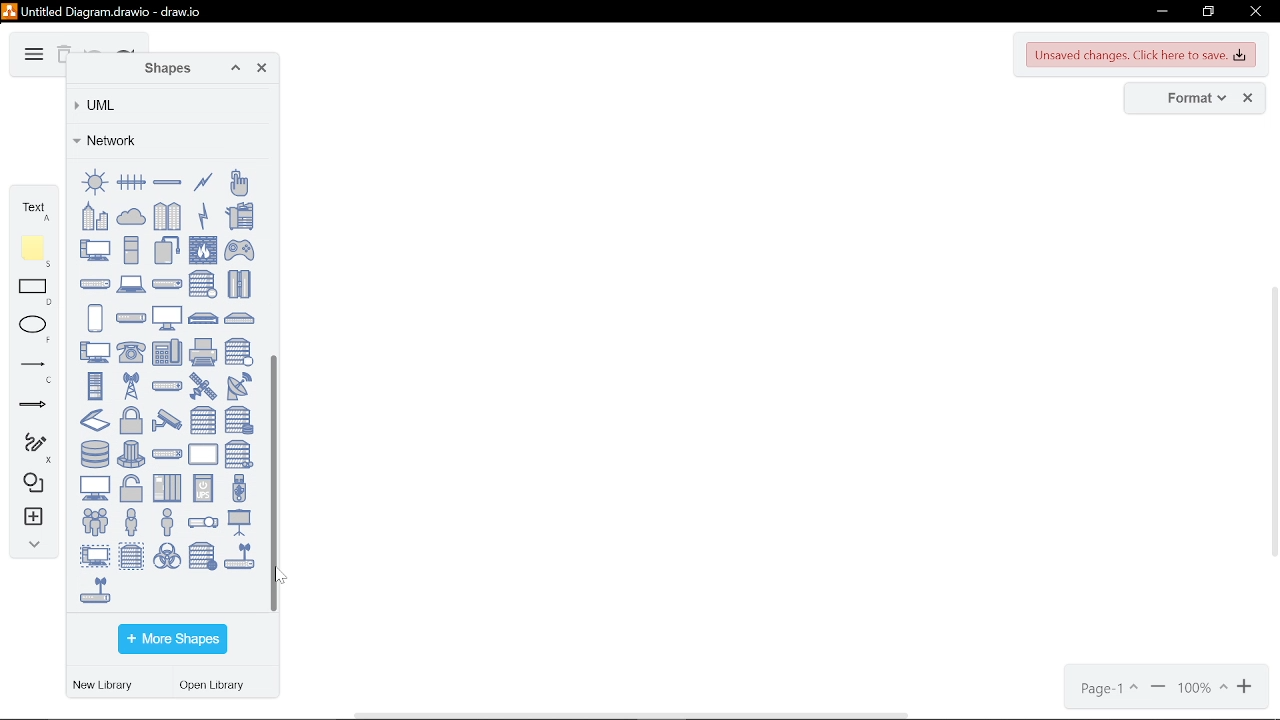 Image resolution: width=1280 pixels, height=720 pixels. What do you see at coordinates (95, 385) in the screenshot?
I see `rack` at bounding box center [95, 385].